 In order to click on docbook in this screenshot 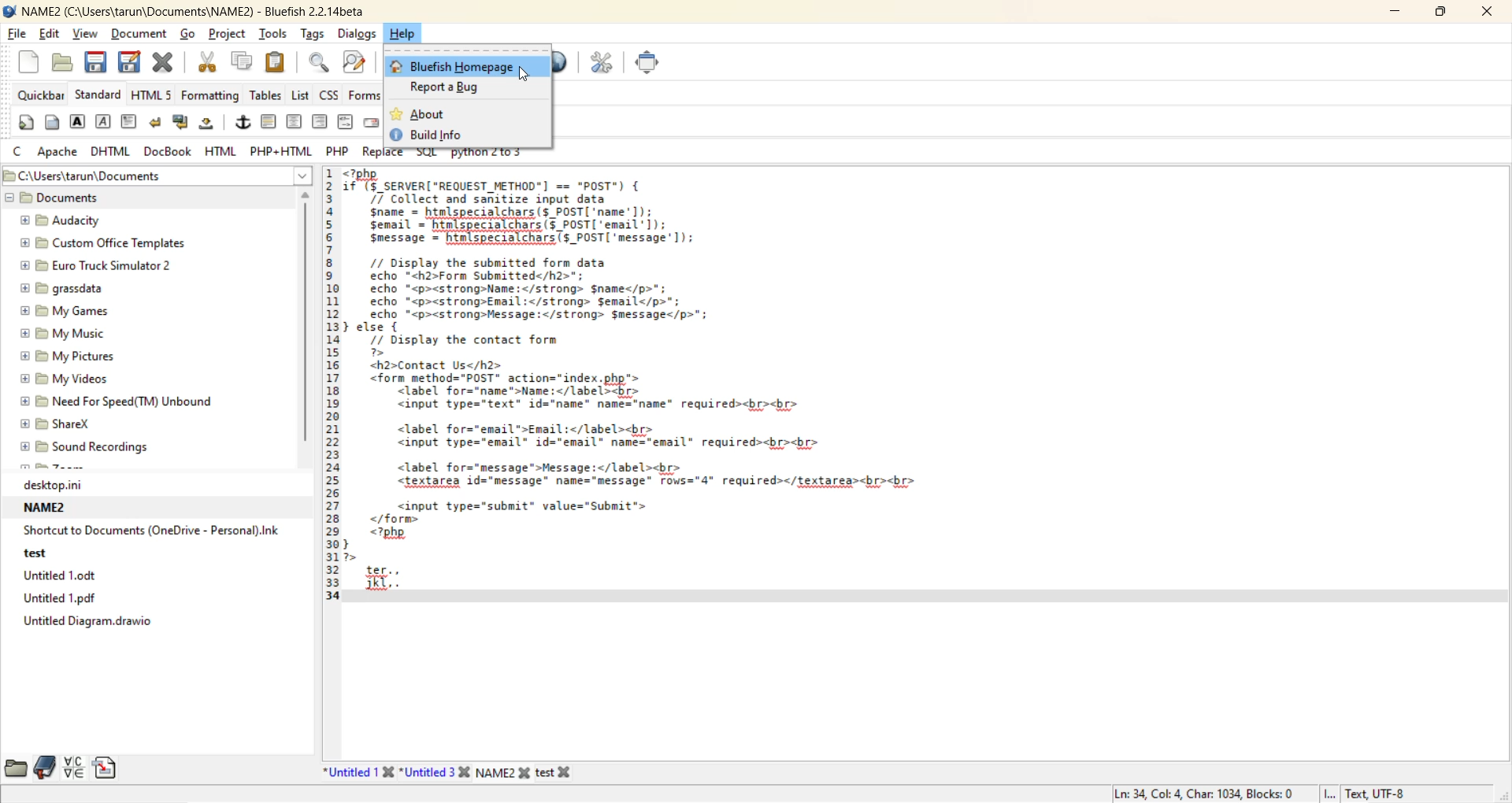, I will do `click(169, 150)`.